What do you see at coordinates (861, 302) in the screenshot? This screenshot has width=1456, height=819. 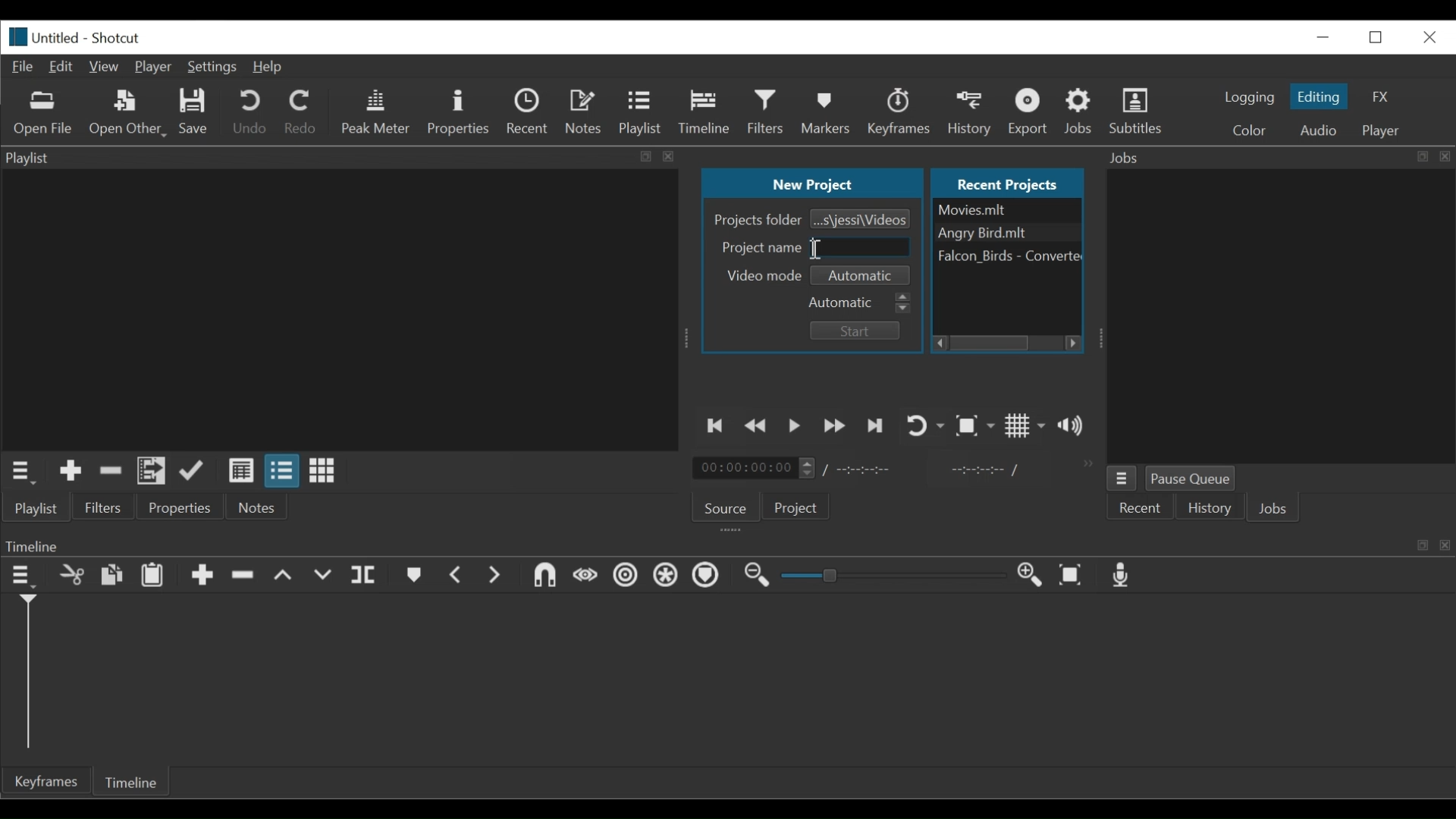 I see `Automatic` at bounding box center [861, 302].